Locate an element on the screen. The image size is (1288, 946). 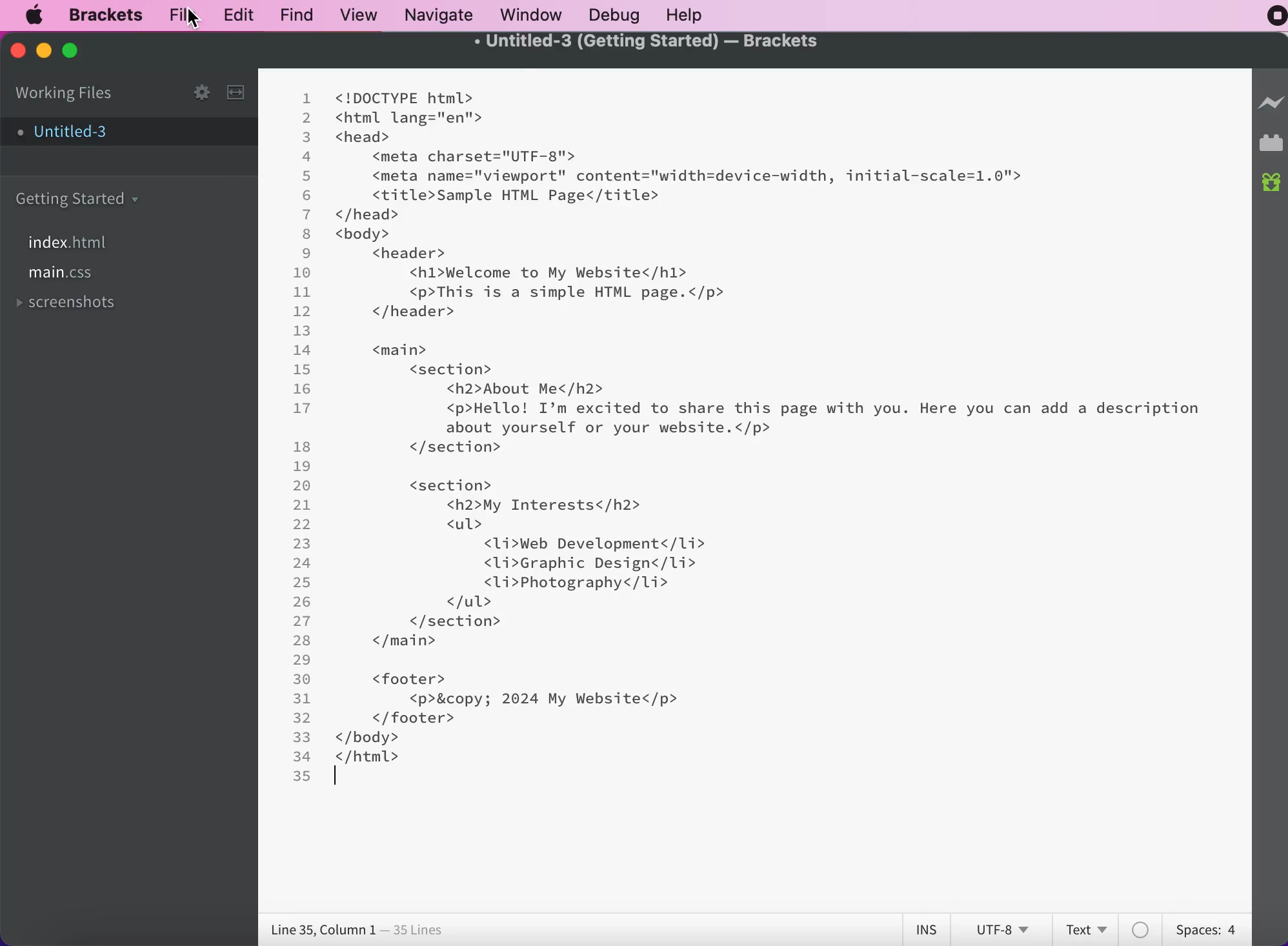
28 is located at coordinates (302, 640).